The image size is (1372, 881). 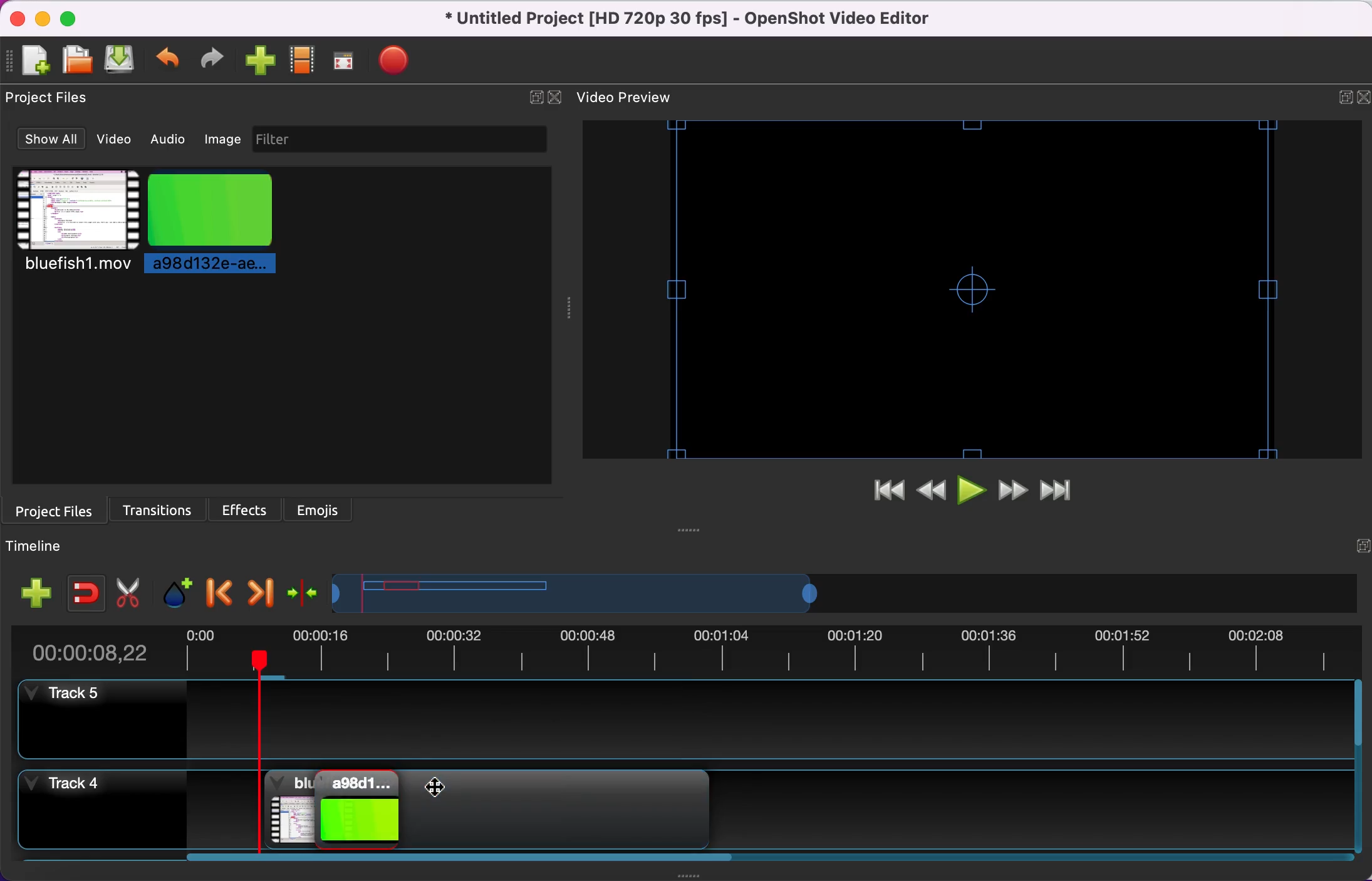 What do you see at coordinates (84, 590) in the screenshot?
I see `enable snapping` at bounding box center [84, 590].